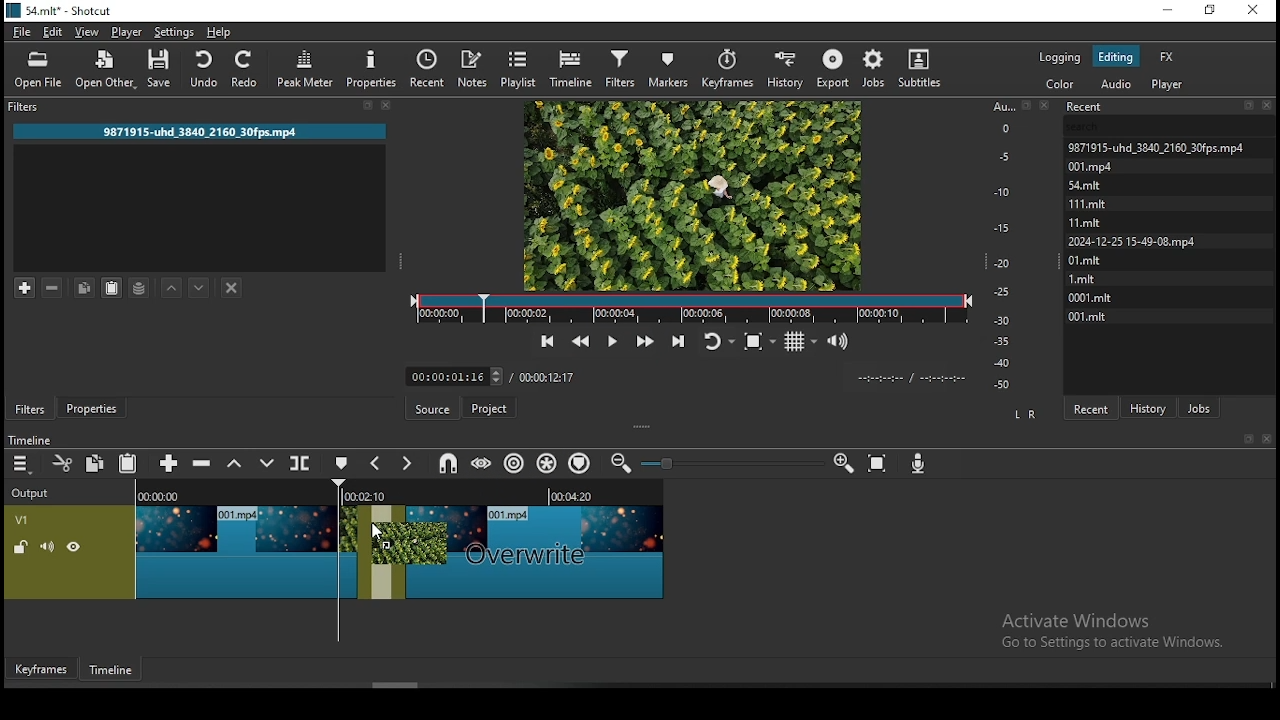 Image resolution: width=1280 pixels, height=720 pixels. I want to click on close window, so click(1251, 11).